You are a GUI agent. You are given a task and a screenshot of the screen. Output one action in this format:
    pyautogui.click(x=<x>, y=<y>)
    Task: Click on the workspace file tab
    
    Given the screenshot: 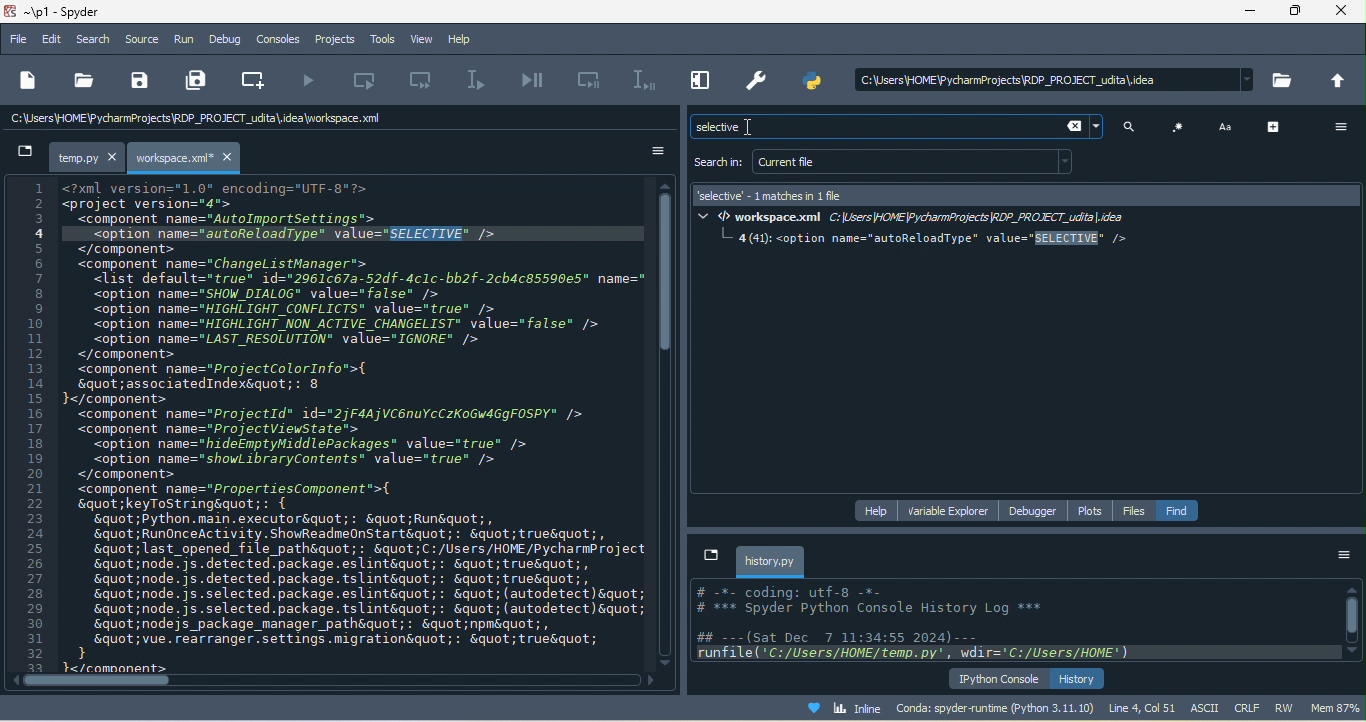 What is the action you would take?
    pyautogui.click(x=187, y=158)
    